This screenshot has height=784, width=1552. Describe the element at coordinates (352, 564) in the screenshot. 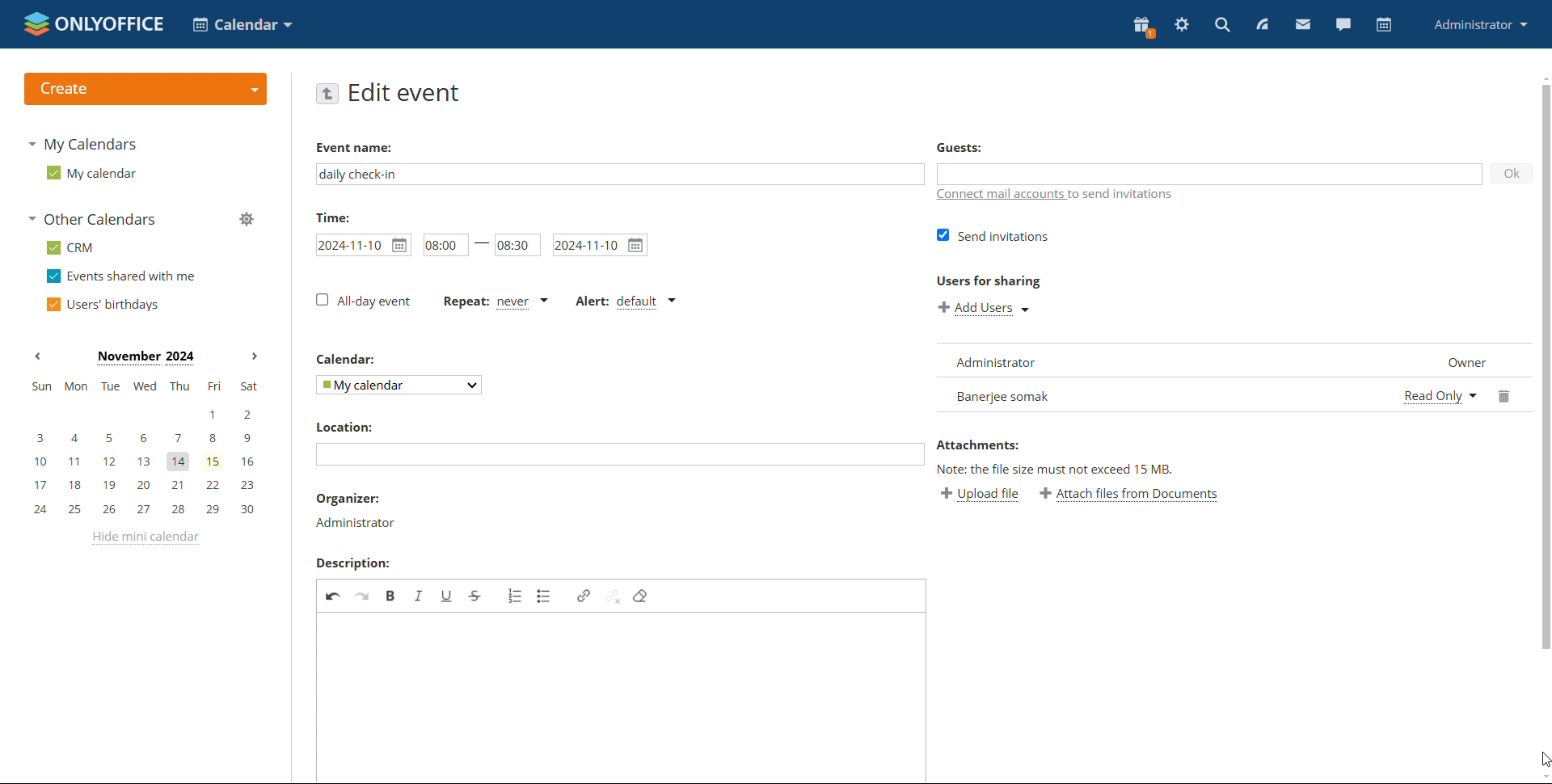

I see `description` at that location.